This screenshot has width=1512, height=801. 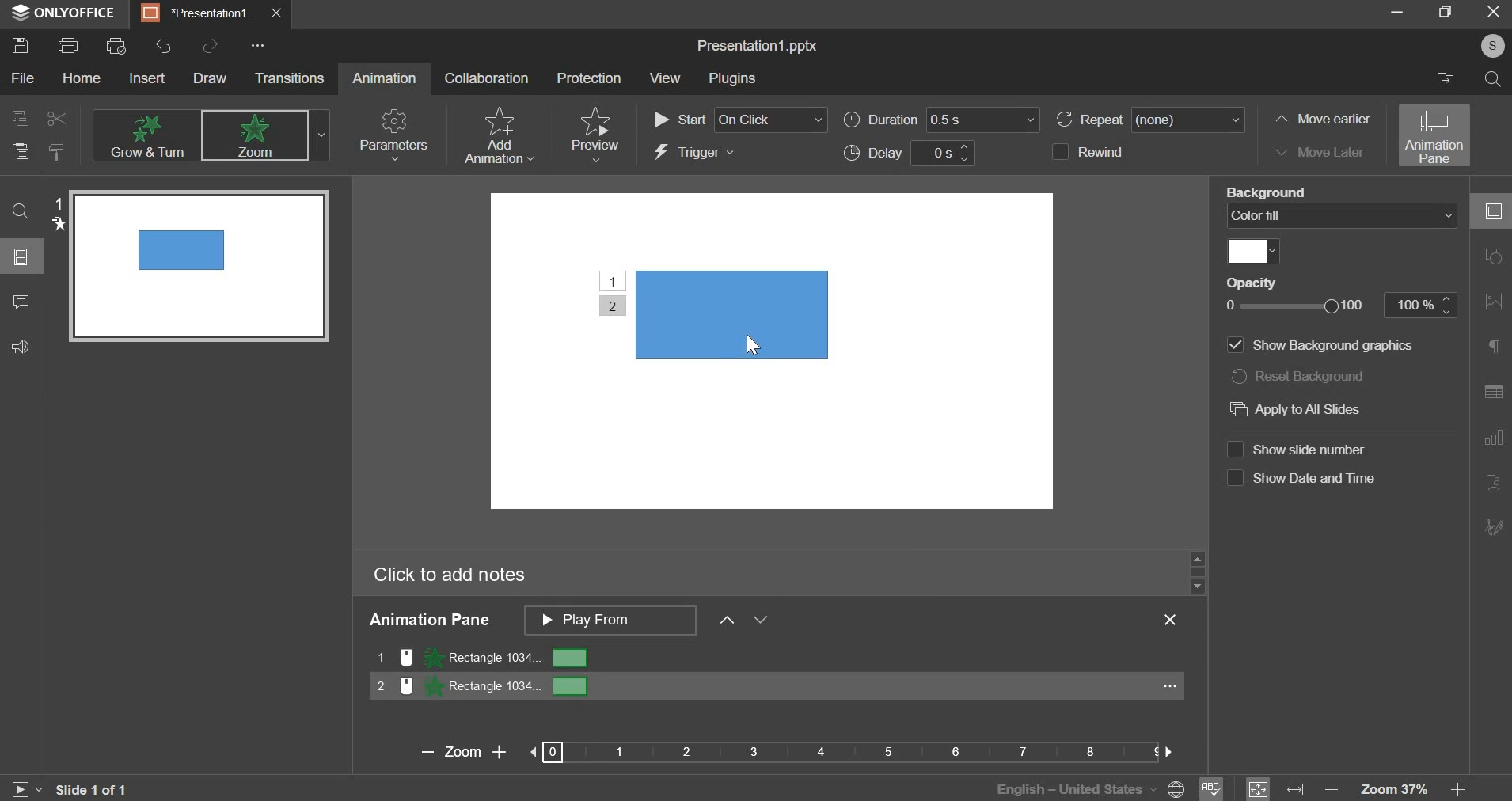 What do you see at coordinates (96, 789) in the screenshot?
I see `Slide 1 0f 1` at bounding box center [96, 789].